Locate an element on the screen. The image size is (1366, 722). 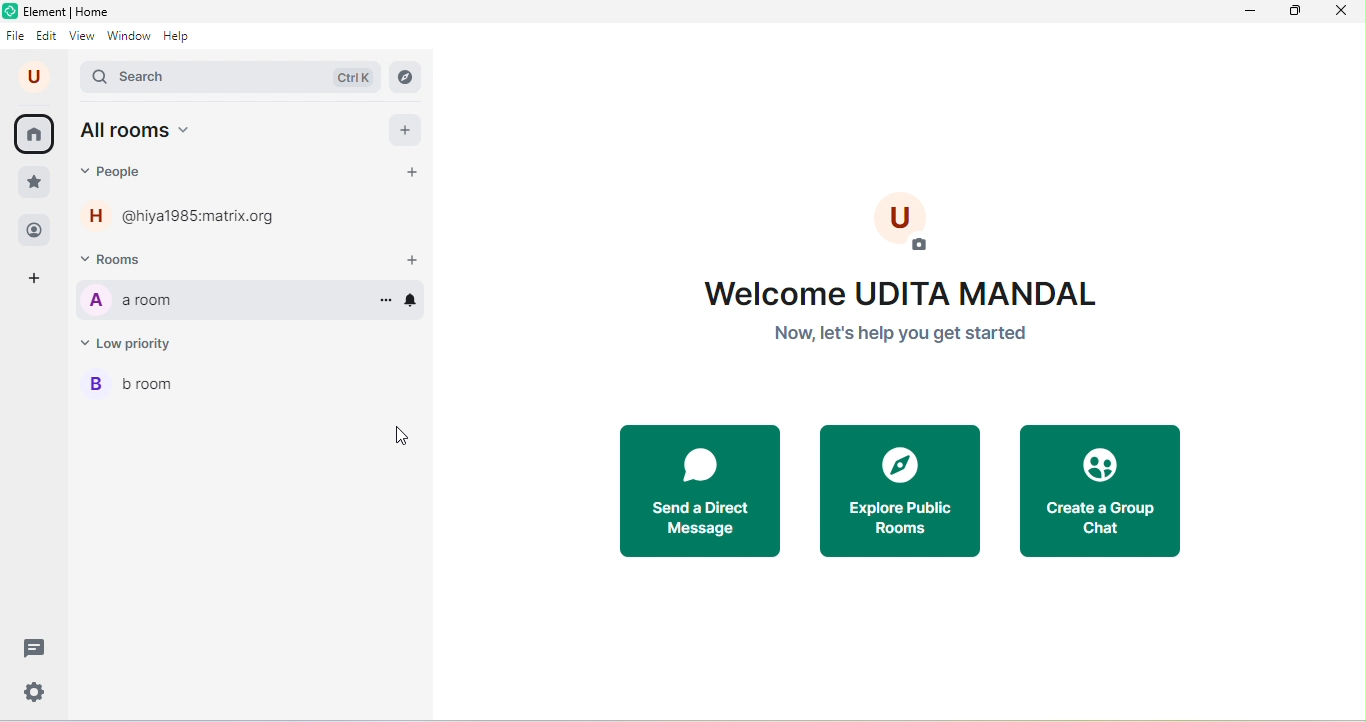
all rooms is located at coordinates (135, 129).